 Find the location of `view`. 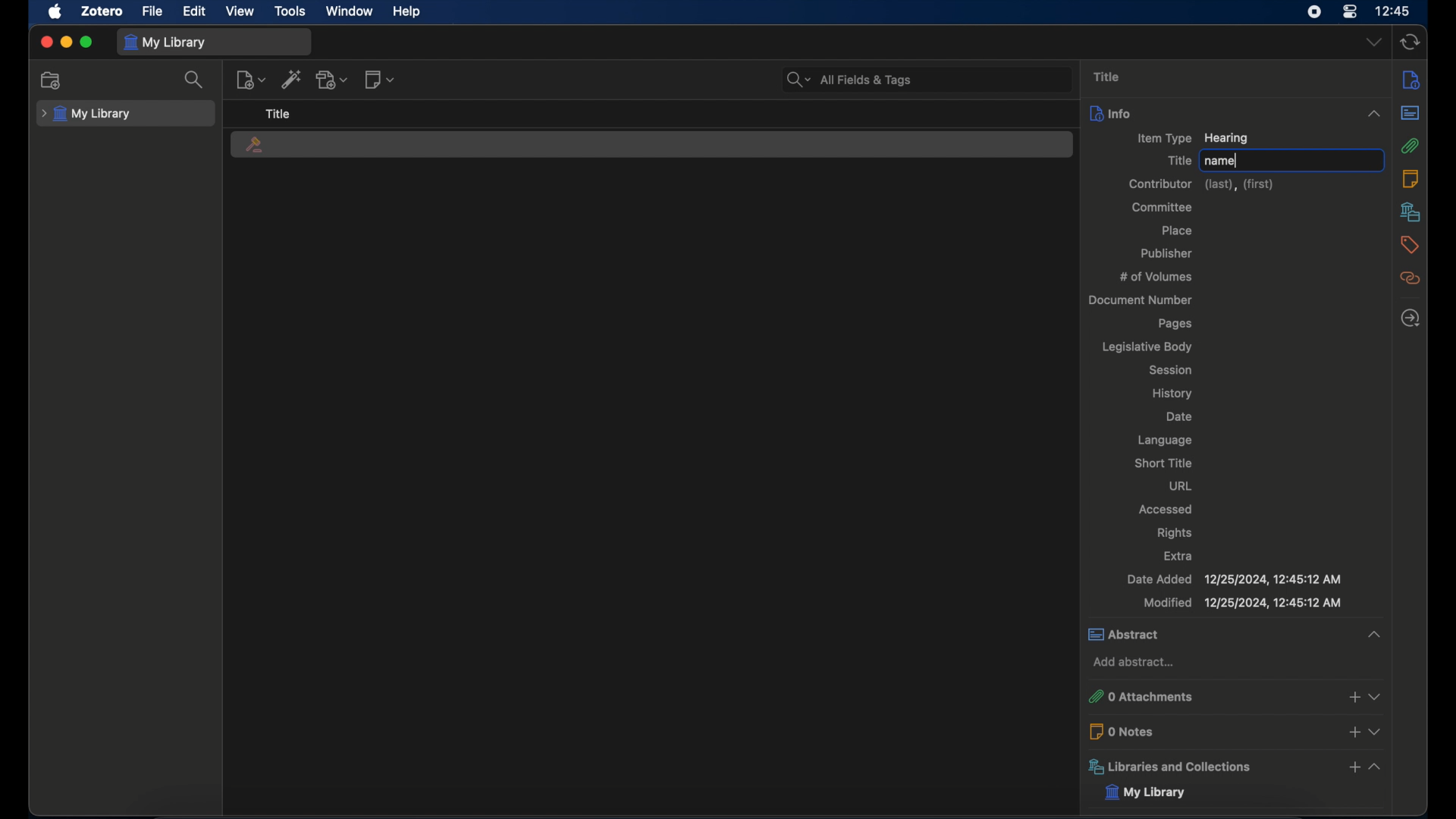

view is located at coordinates (240, 11).